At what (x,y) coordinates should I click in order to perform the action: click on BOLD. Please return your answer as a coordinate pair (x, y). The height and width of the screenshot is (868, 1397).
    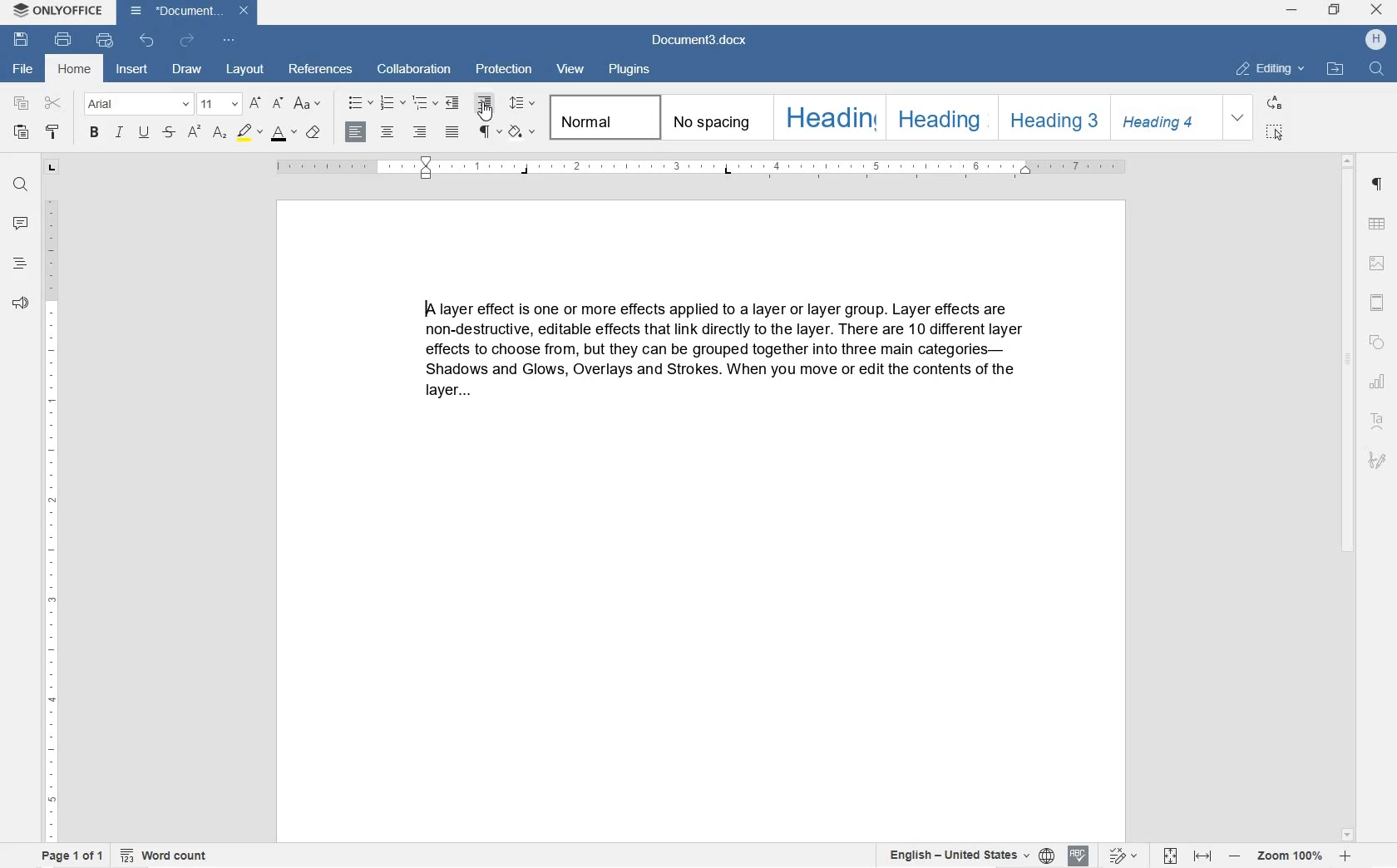
    Looking at the image, I should click on (93, 134).